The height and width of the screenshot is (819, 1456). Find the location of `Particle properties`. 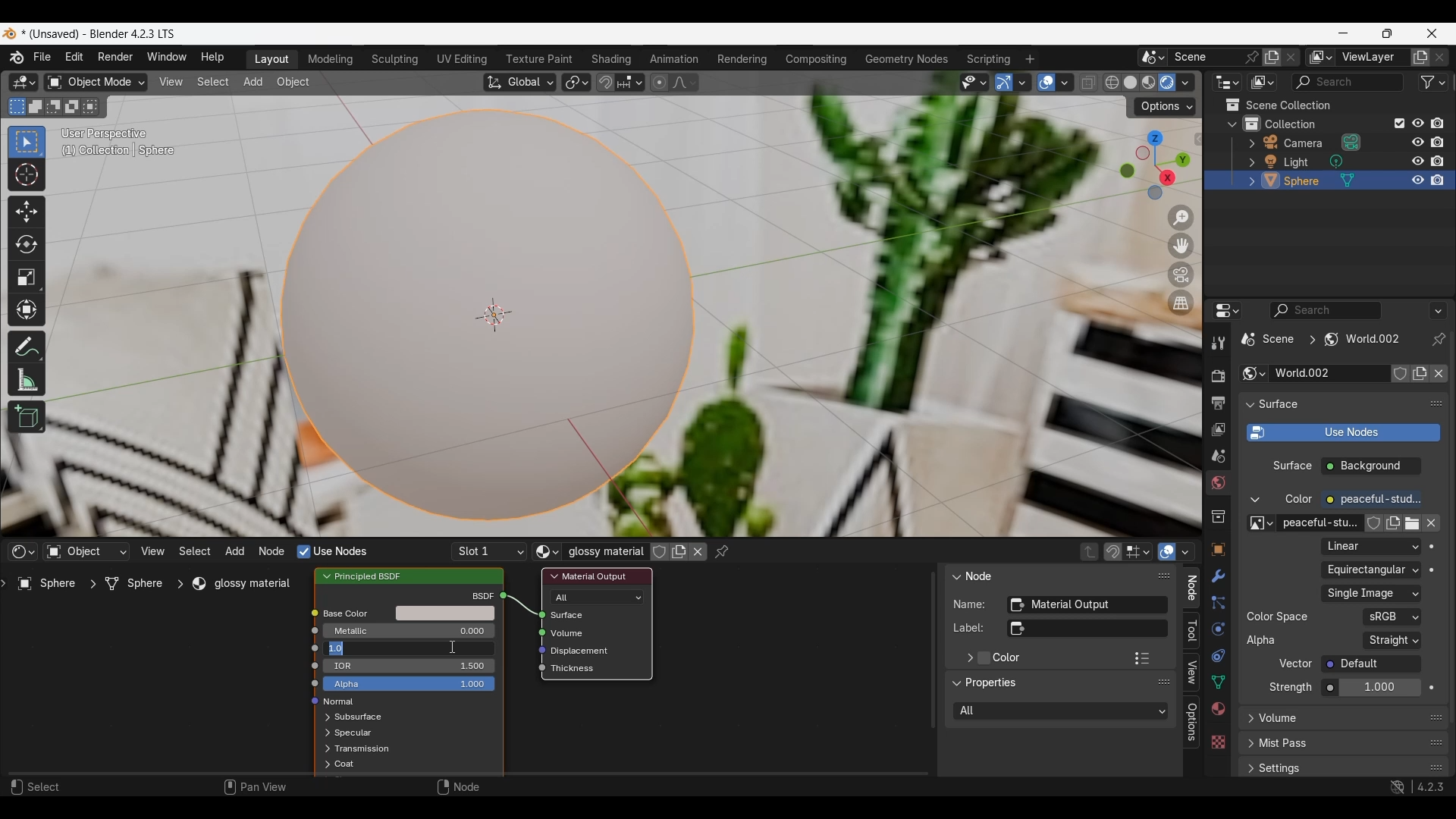

Particle properties is located at coordinates (1217, 603).